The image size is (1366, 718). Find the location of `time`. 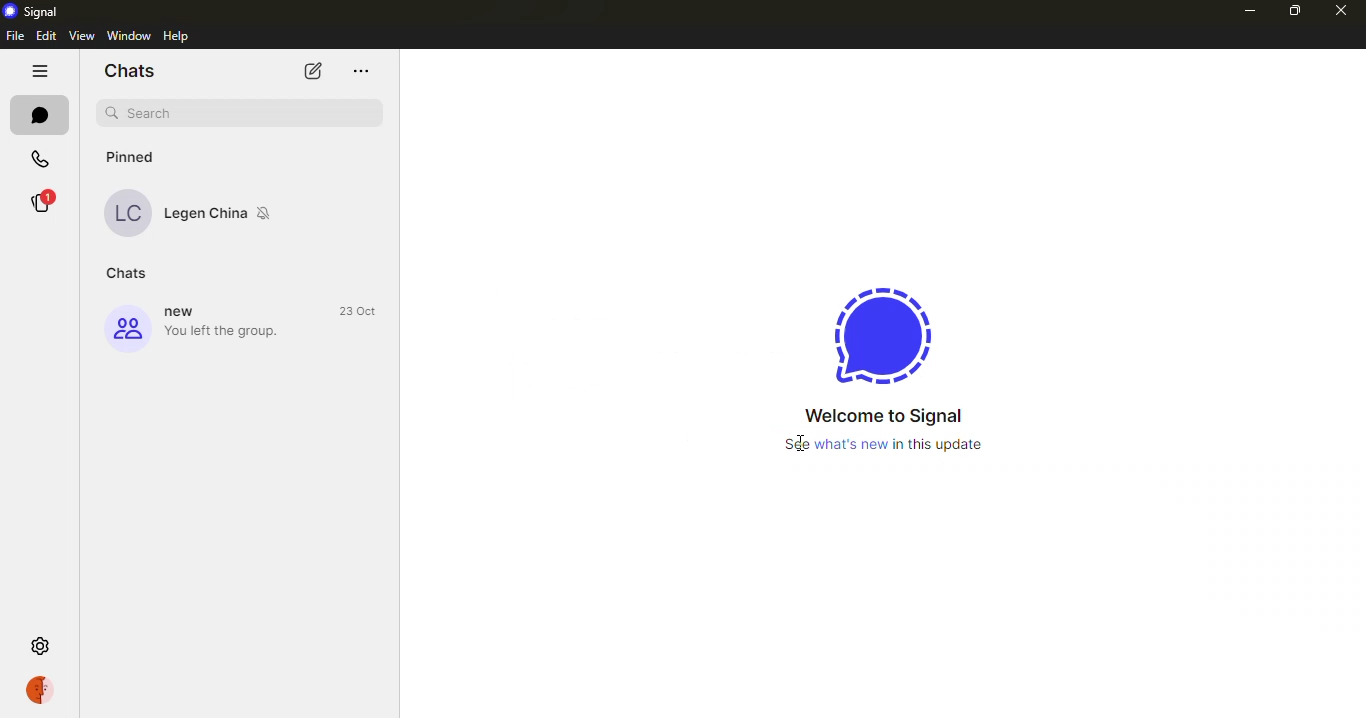

time is located at coordinates (360, 311).